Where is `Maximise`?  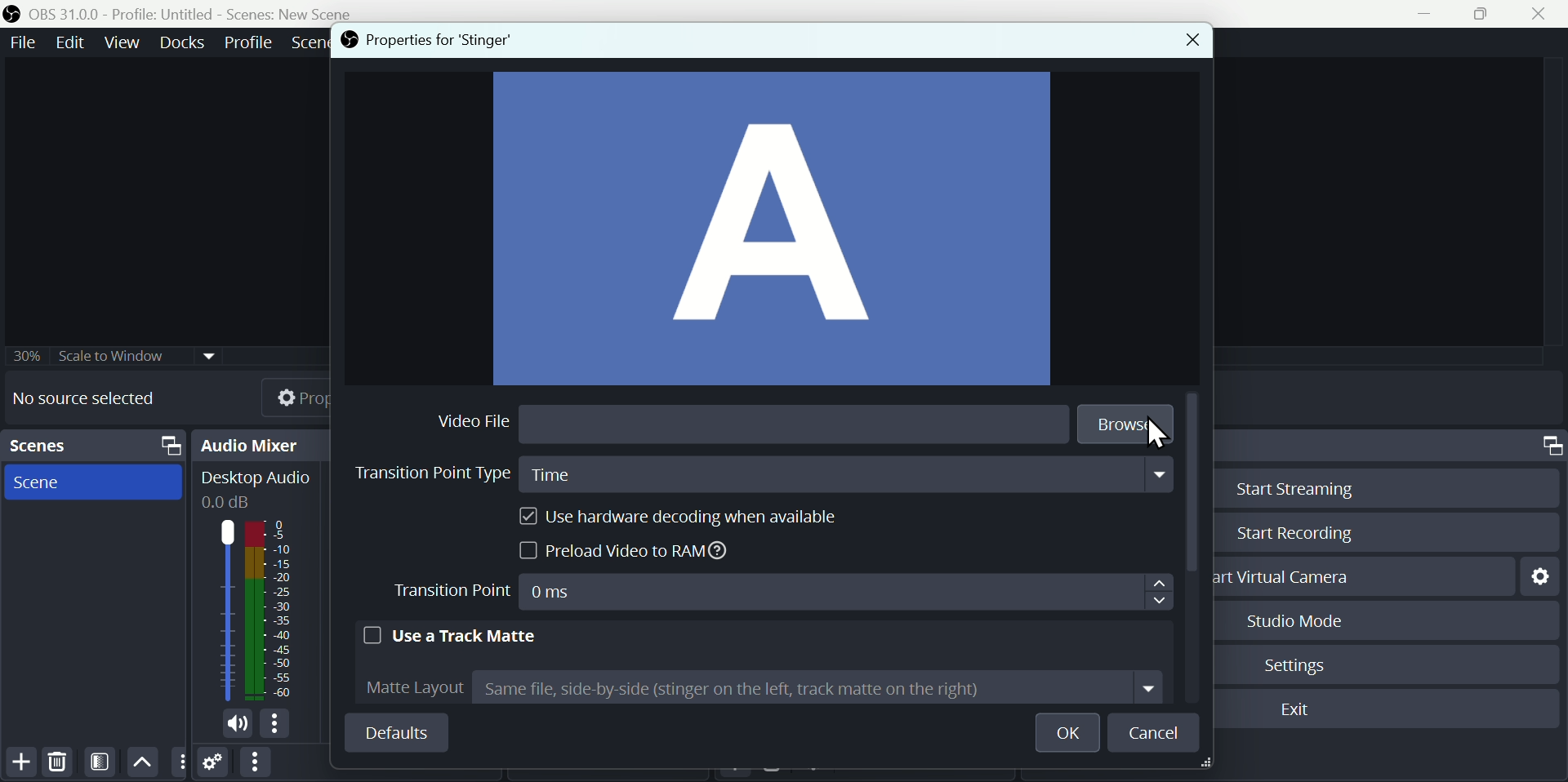 Maximise is located at coordinates (1488, 15).